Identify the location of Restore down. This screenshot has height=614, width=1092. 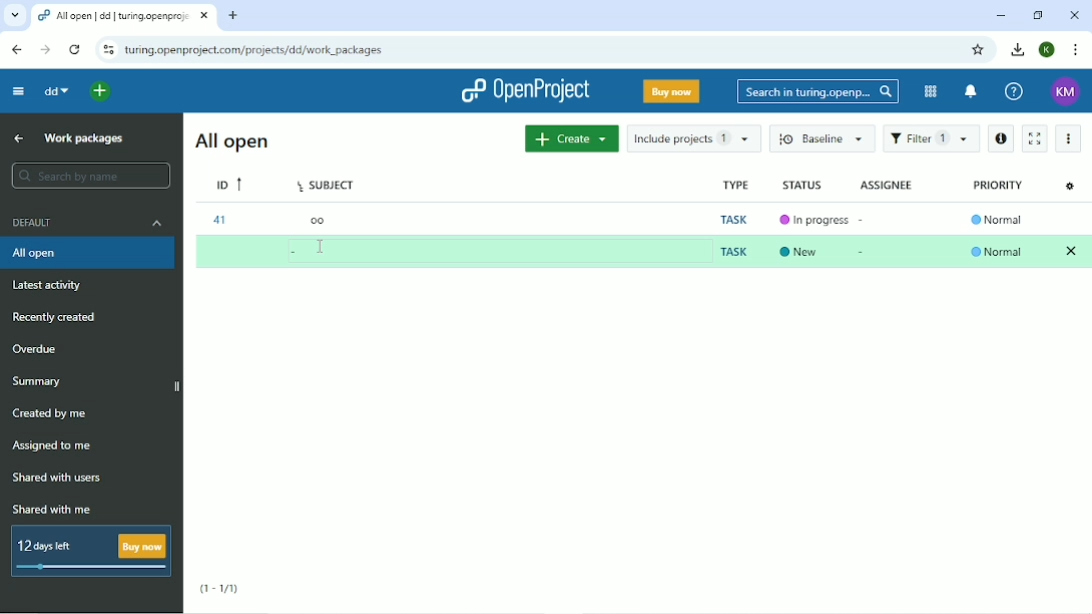
(1035, 15).